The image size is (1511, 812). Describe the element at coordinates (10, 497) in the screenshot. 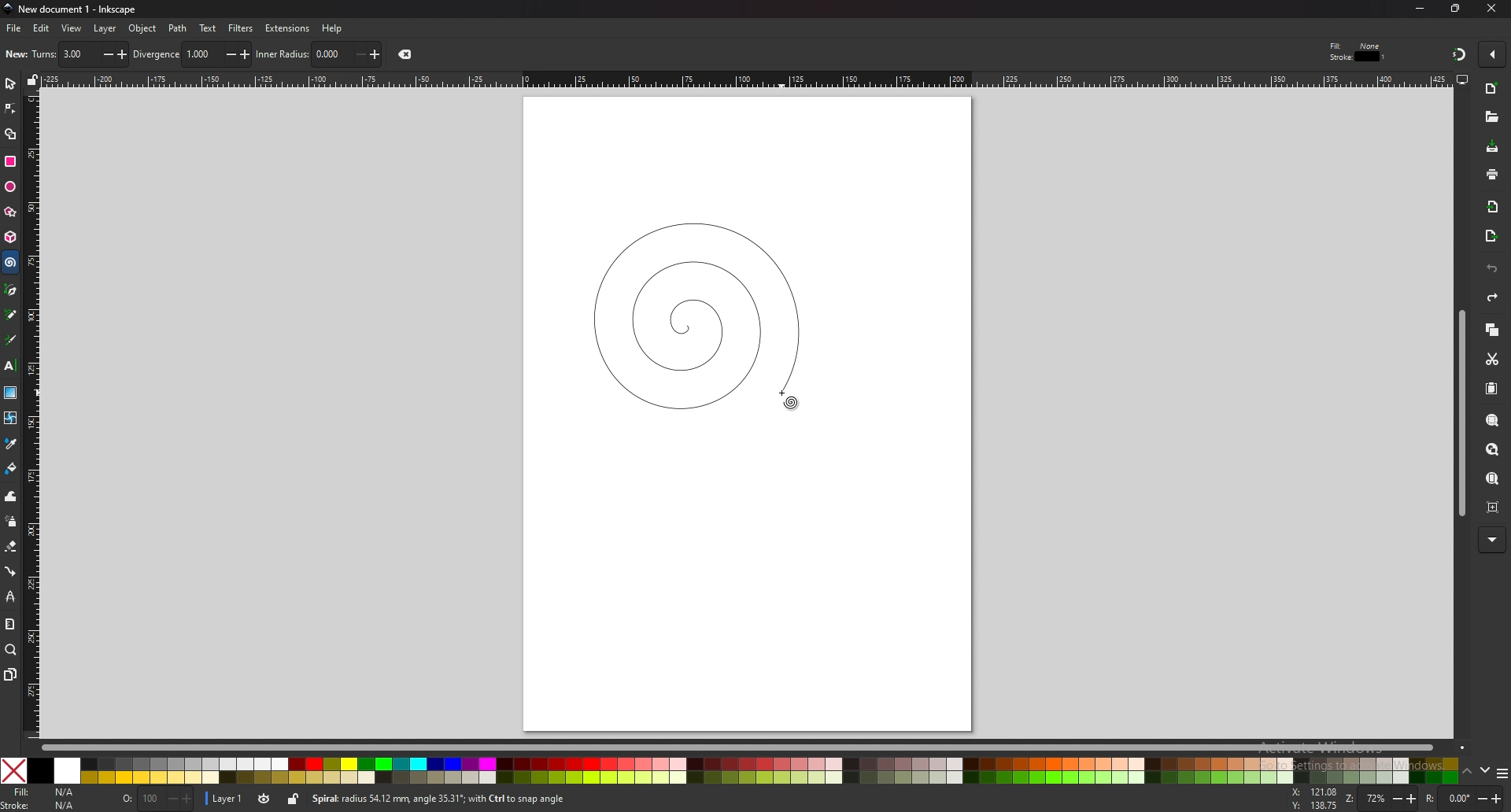

I see `tweak` at that location.